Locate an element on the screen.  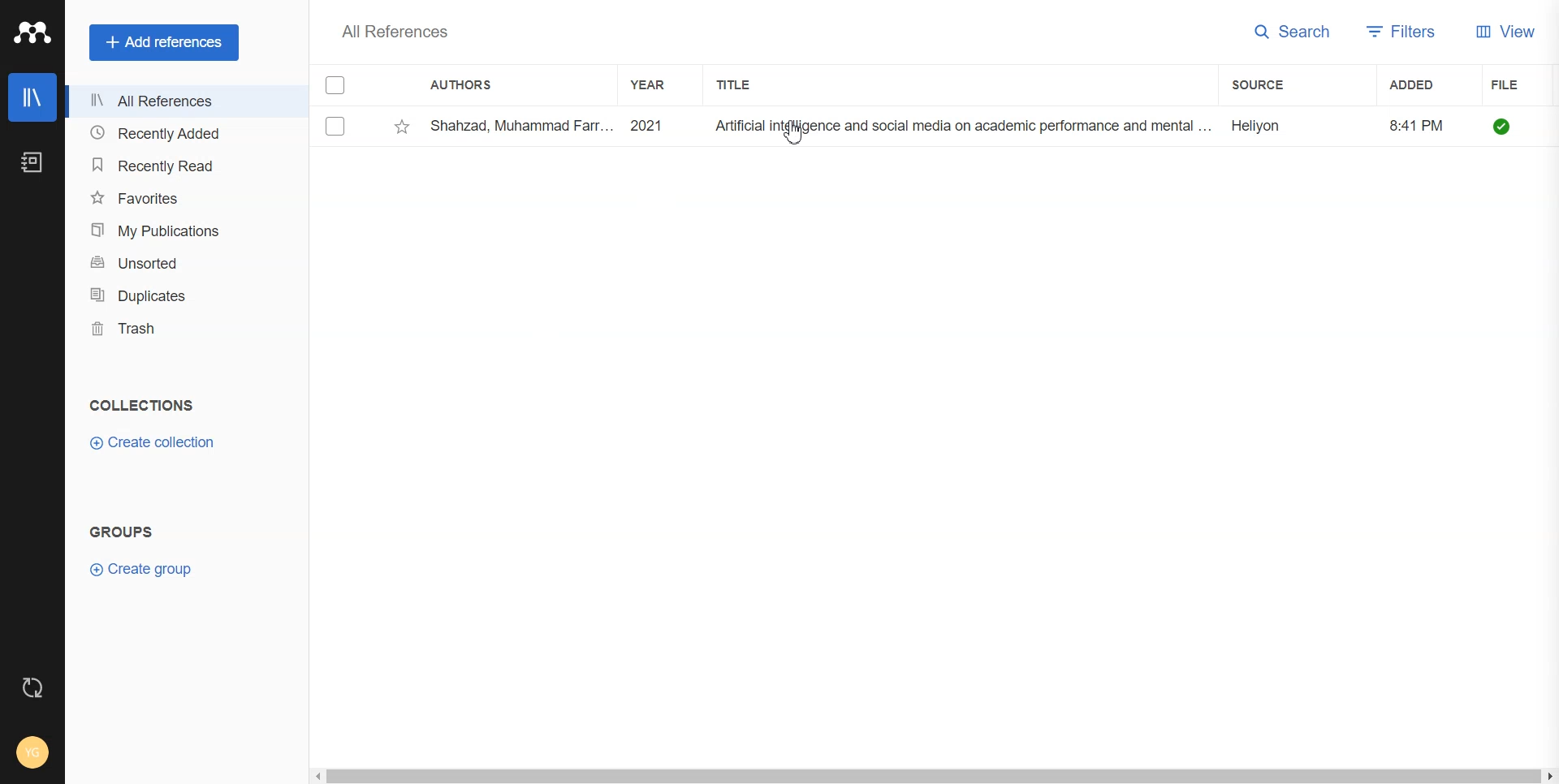
Authors is located at coordinates (462, 84).